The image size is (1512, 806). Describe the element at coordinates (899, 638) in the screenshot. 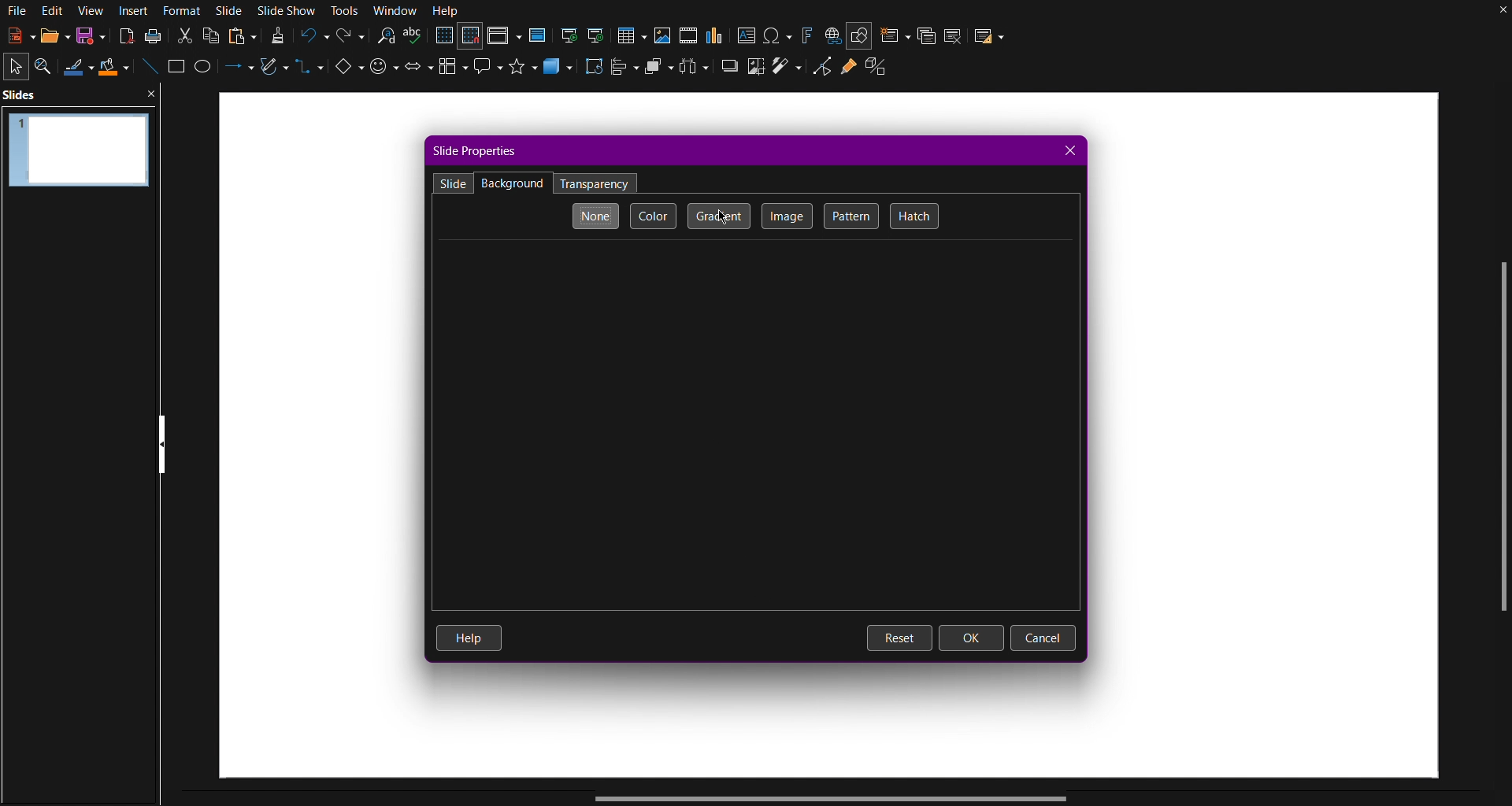

I see `Reset` at that location.